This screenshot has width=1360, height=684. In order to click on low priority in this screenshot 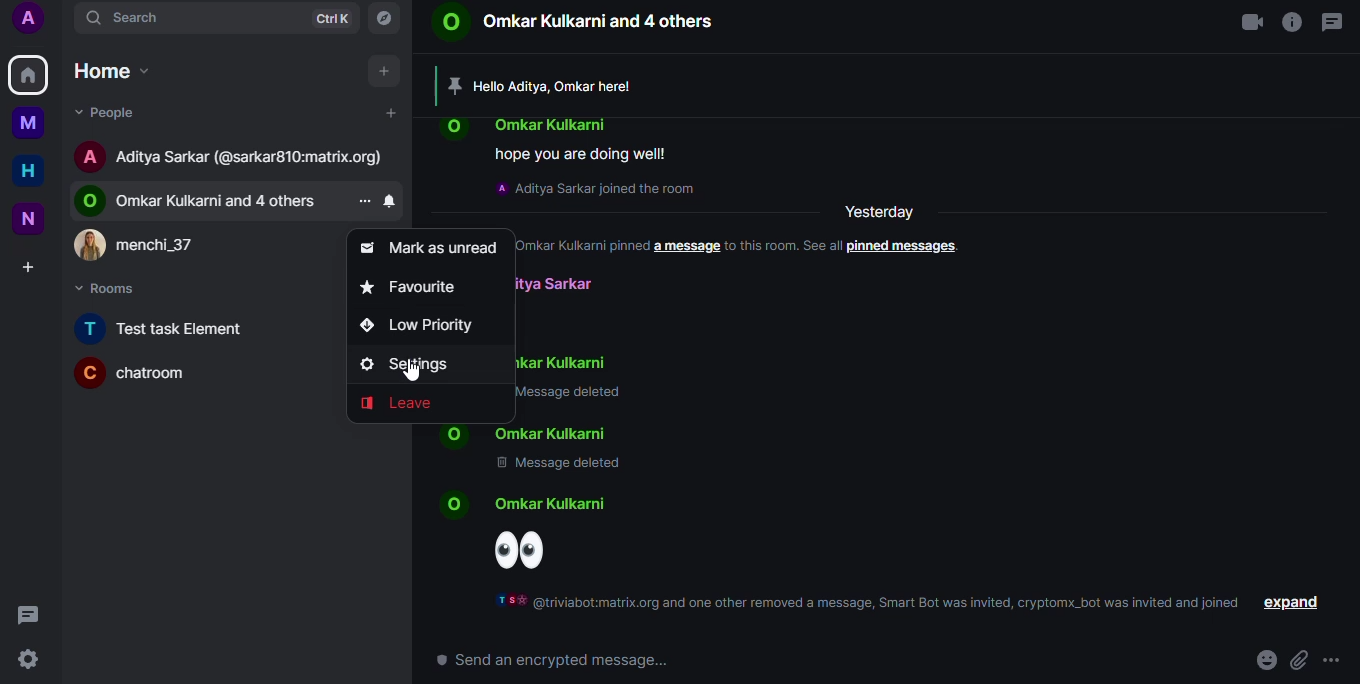, I will do `click(424, 325)`.